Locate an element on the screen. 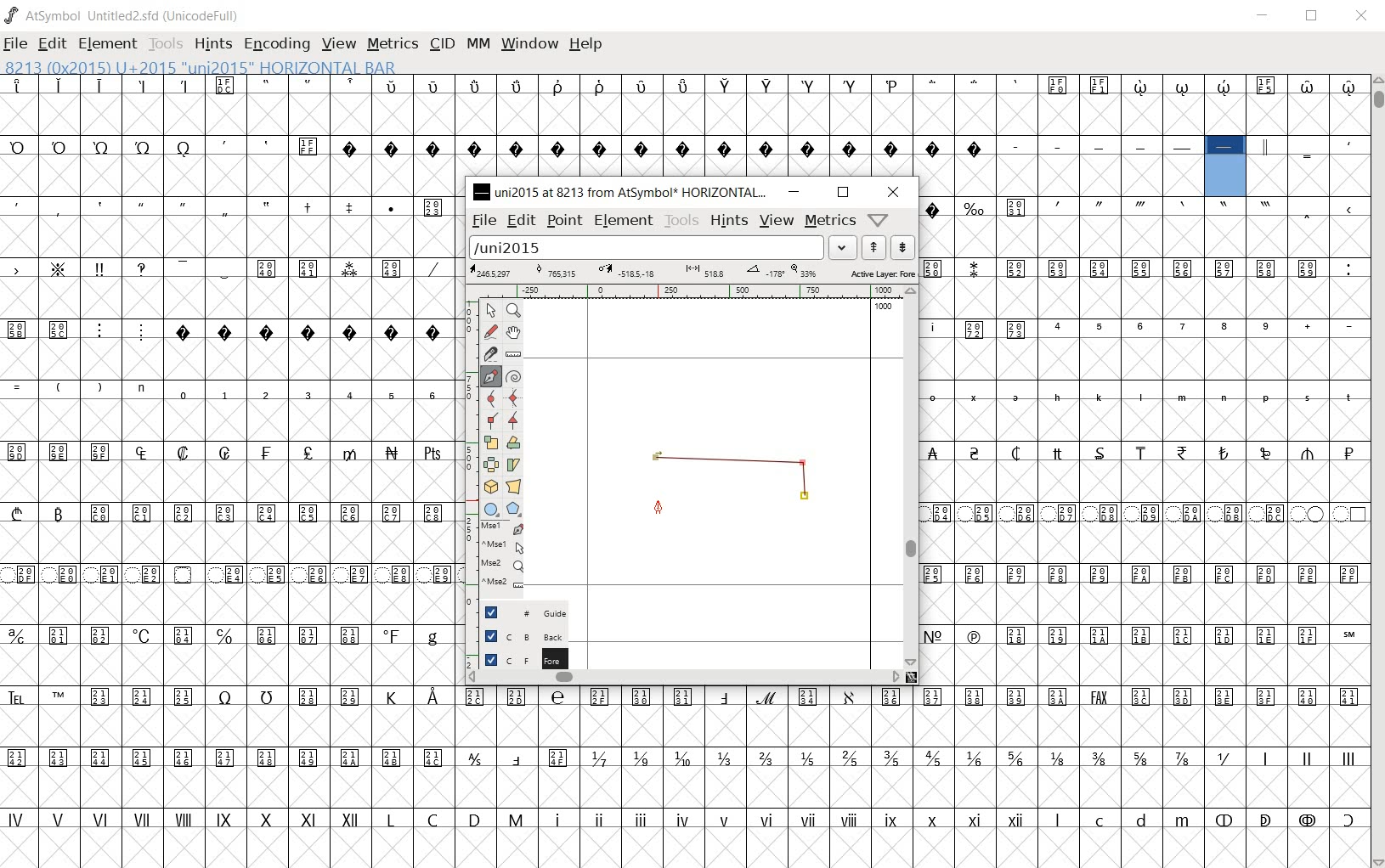  glyph characters is located at coordinates (914, 775).